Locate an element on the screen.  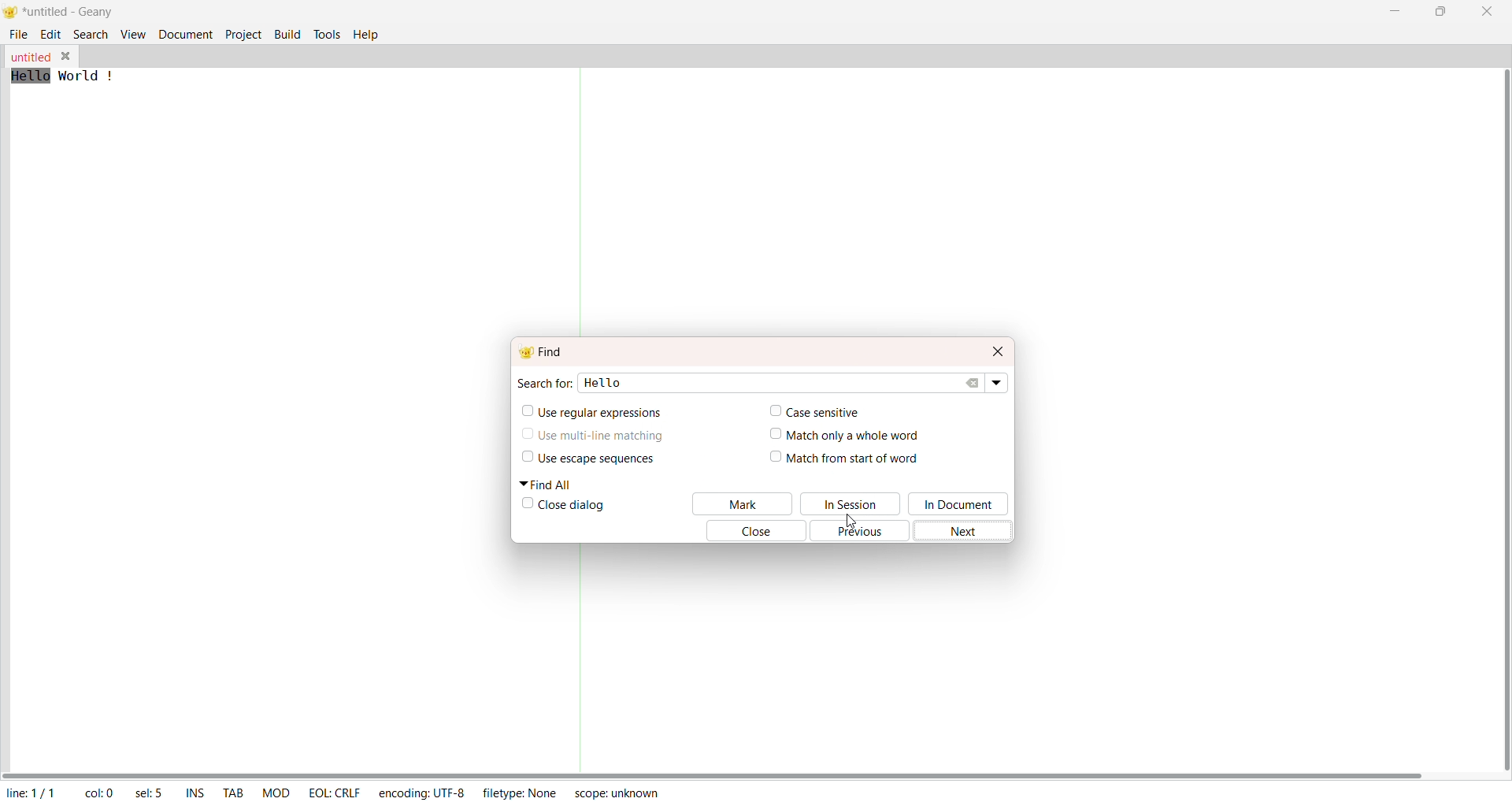
Col: 13 is located at coordinates (98, 790).